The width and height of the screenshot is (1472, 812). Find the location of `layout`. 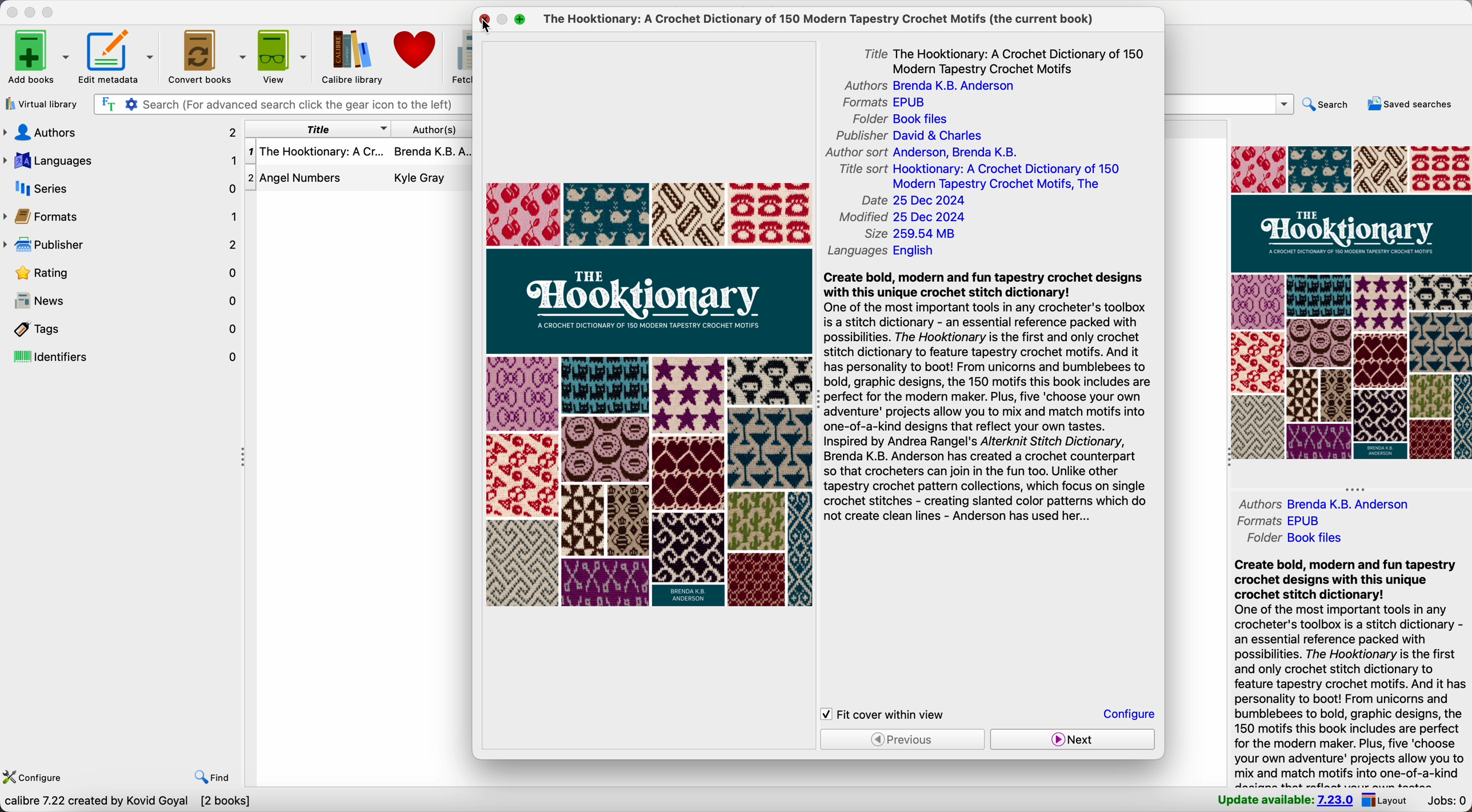

layout is located at coordinates (1384, 799).